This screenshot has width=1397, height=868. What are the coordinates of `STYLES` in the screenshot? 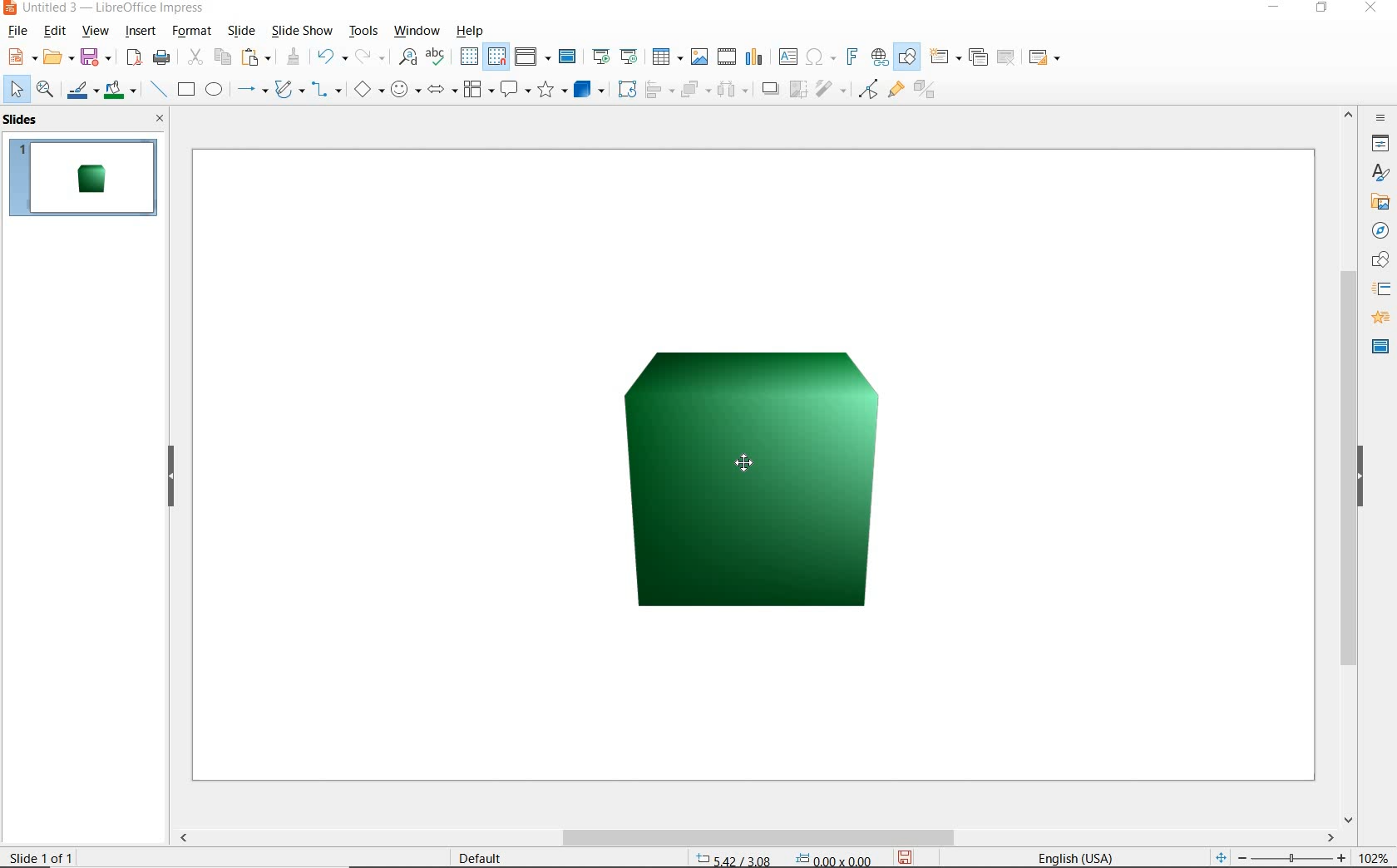 It's located at (1380, 175).